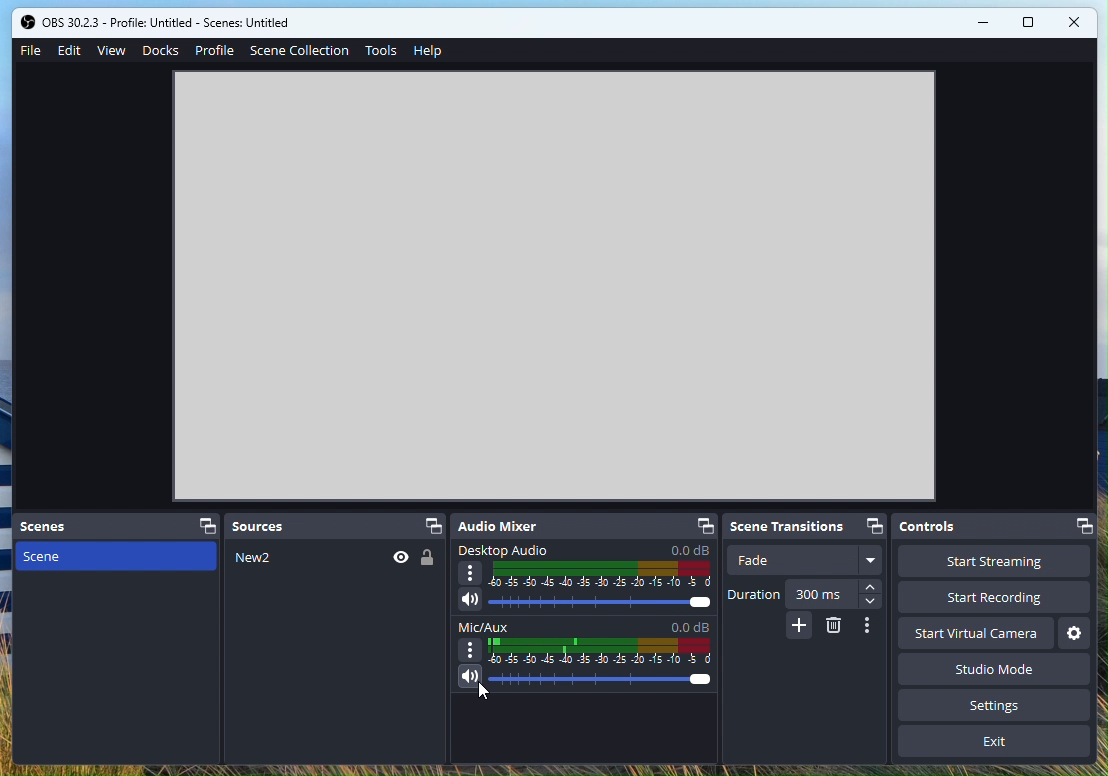  Describe the element at coordinates (427, 54) in the screenshot. I see `Help` at that location.